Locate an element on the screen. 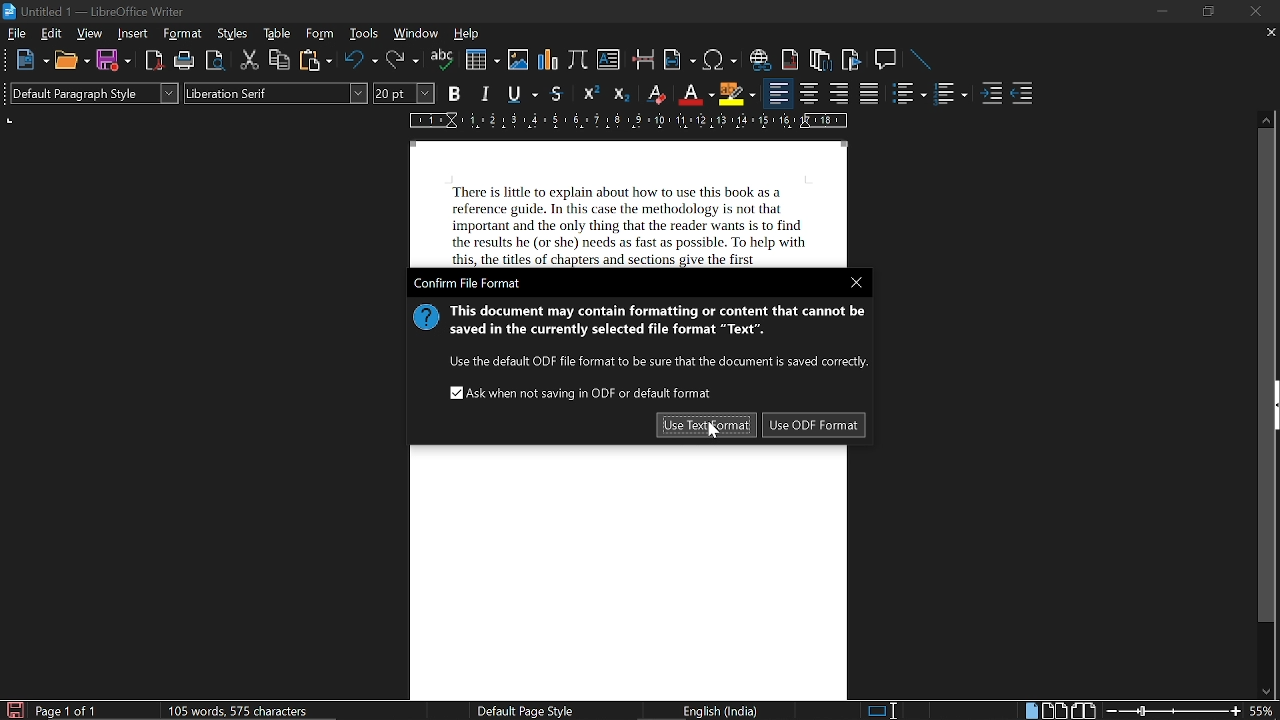 The width and height of the screenshot is (1280, 720). new is located at coordinates (30, 60).